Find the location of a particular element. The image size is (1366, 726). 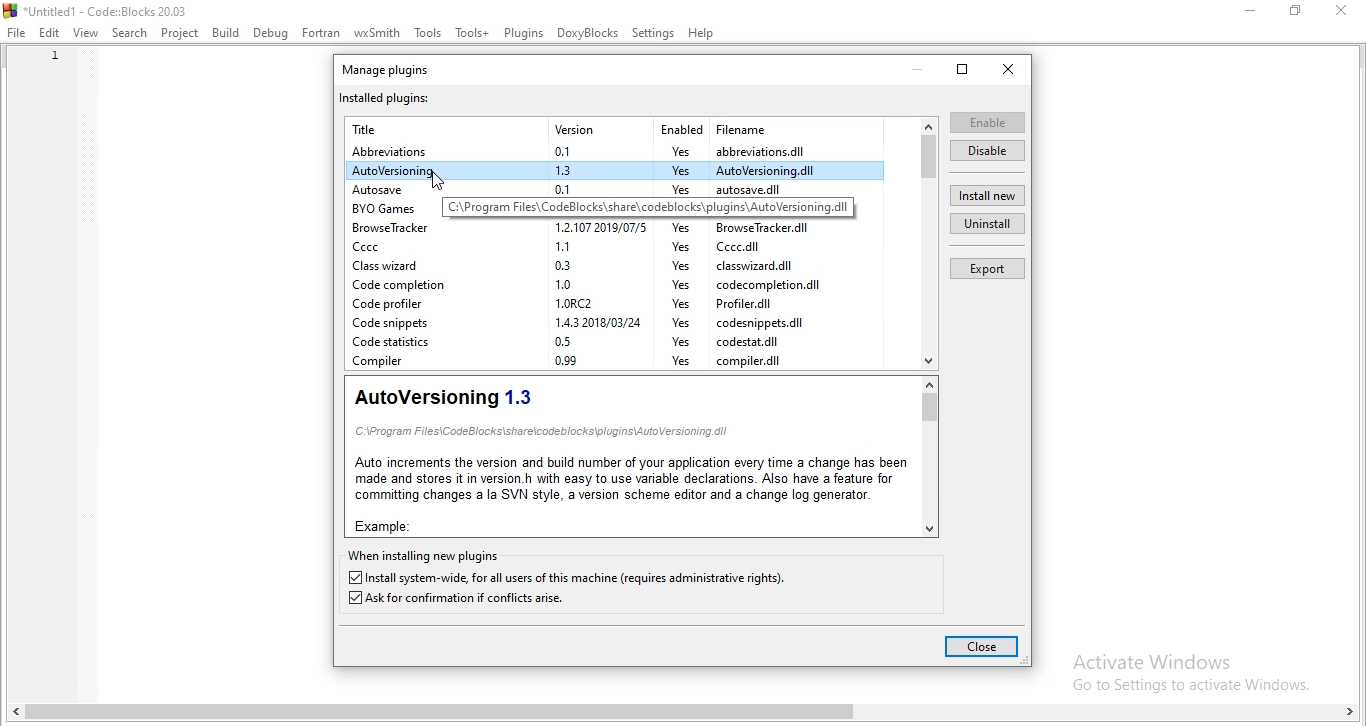

enable is located at coordinates (988, 122).